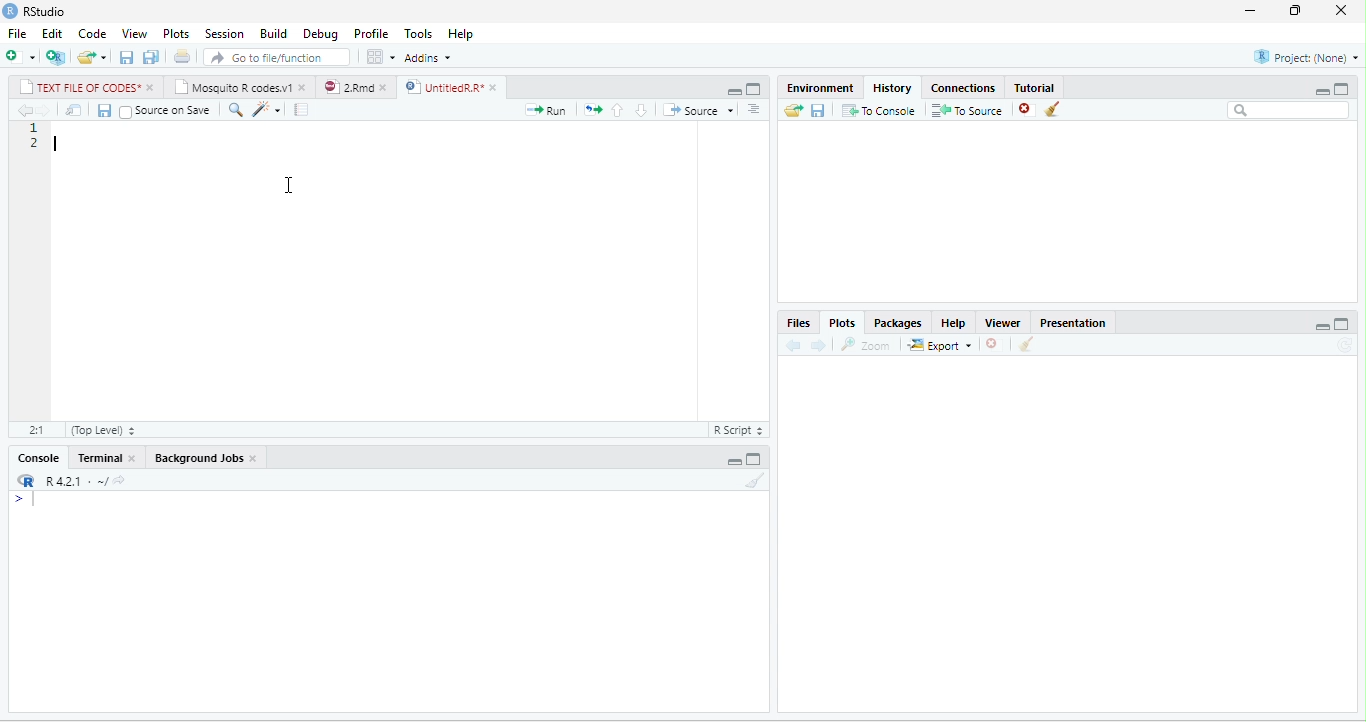 The height and width of the screenshot is (722, 1366). What do you see at coordinates (793, 110) in the screenshot?
I see `open folder` at bounding box center [793, 110].